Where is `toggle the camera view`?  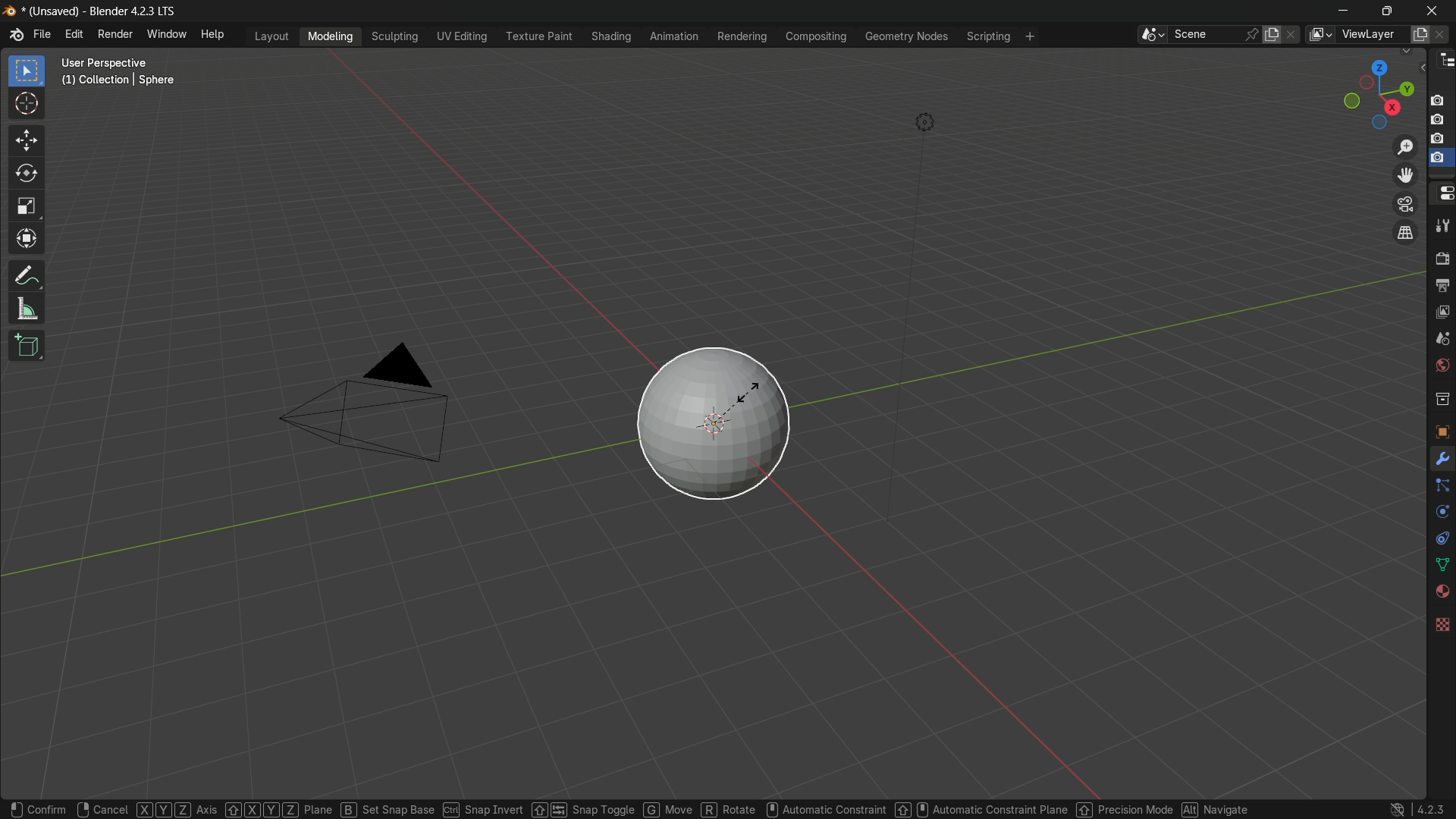 toggle the camera view is located at coordinates (1406, 204).